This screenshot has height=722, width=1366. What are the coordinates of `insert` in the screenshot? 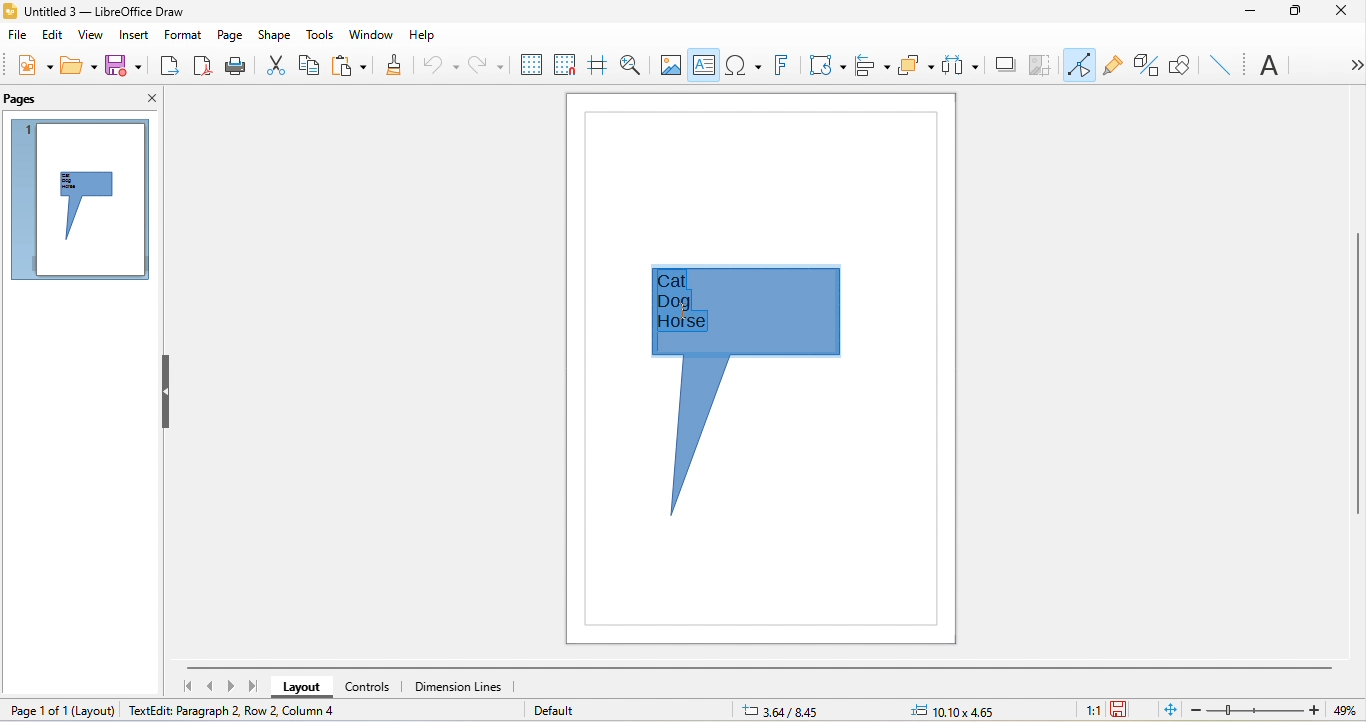 It's located at (134, 35).